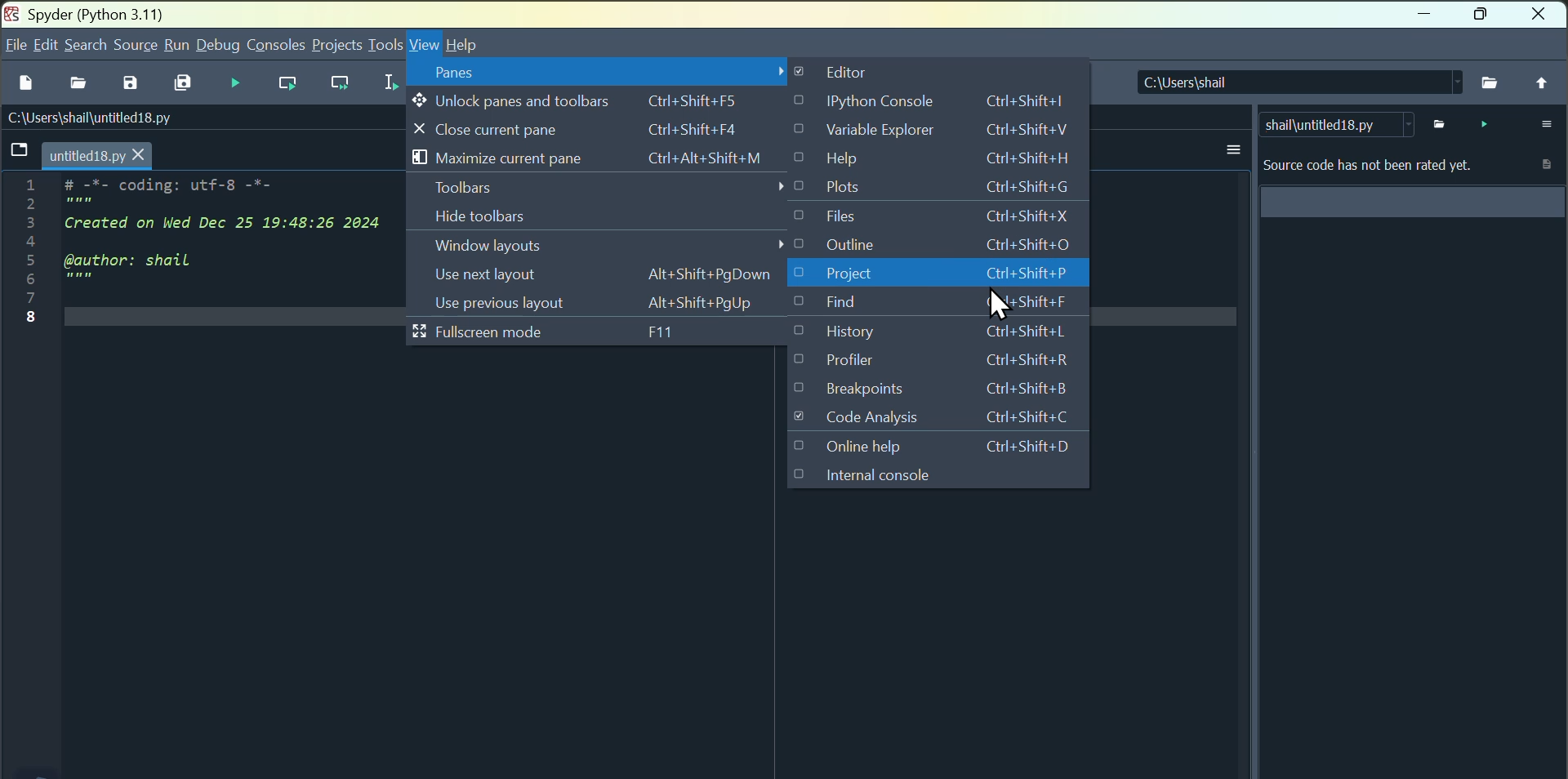 The image size is (1568, 779). Describe the element at coordinates (219, 42) in the screenshot. I see `Debugs` at that location.